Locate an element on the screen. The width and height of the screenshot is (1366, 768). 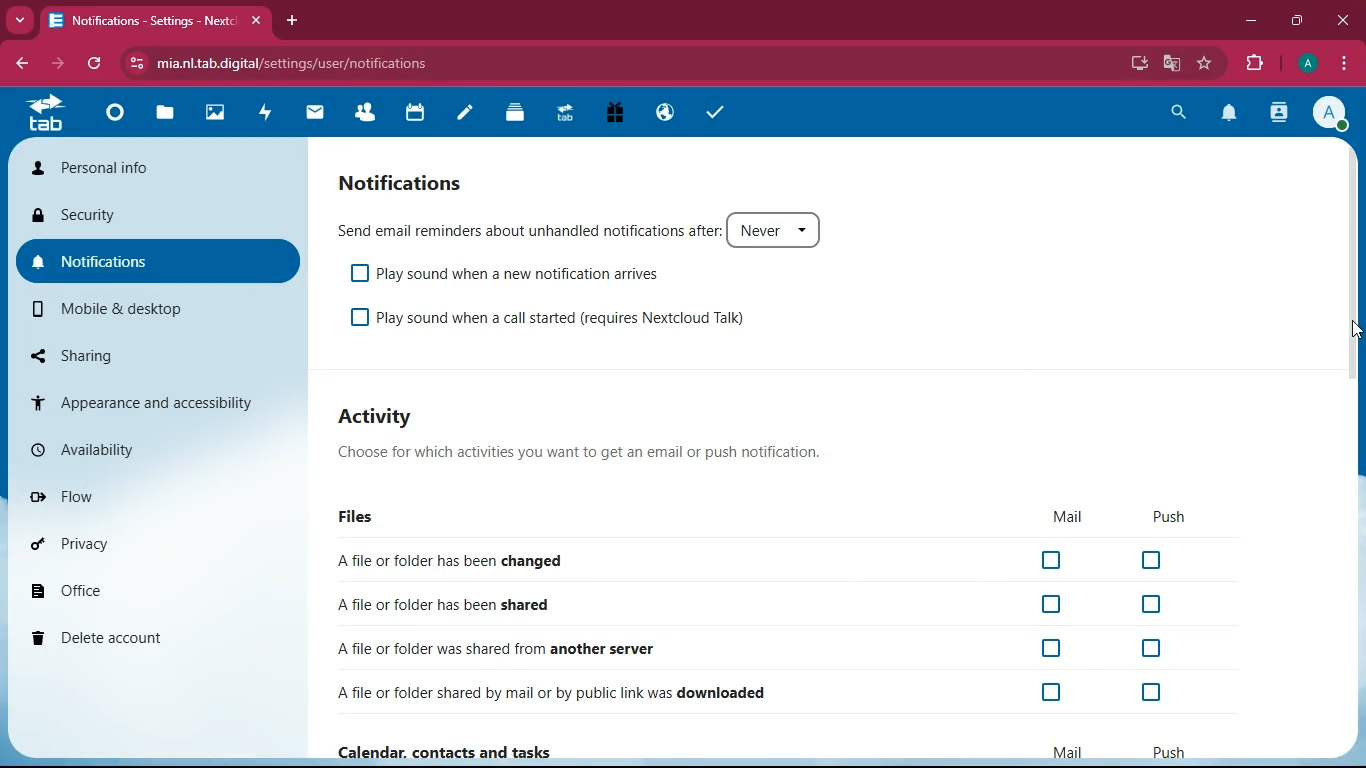
privacy is located at coordinates (150, 542).